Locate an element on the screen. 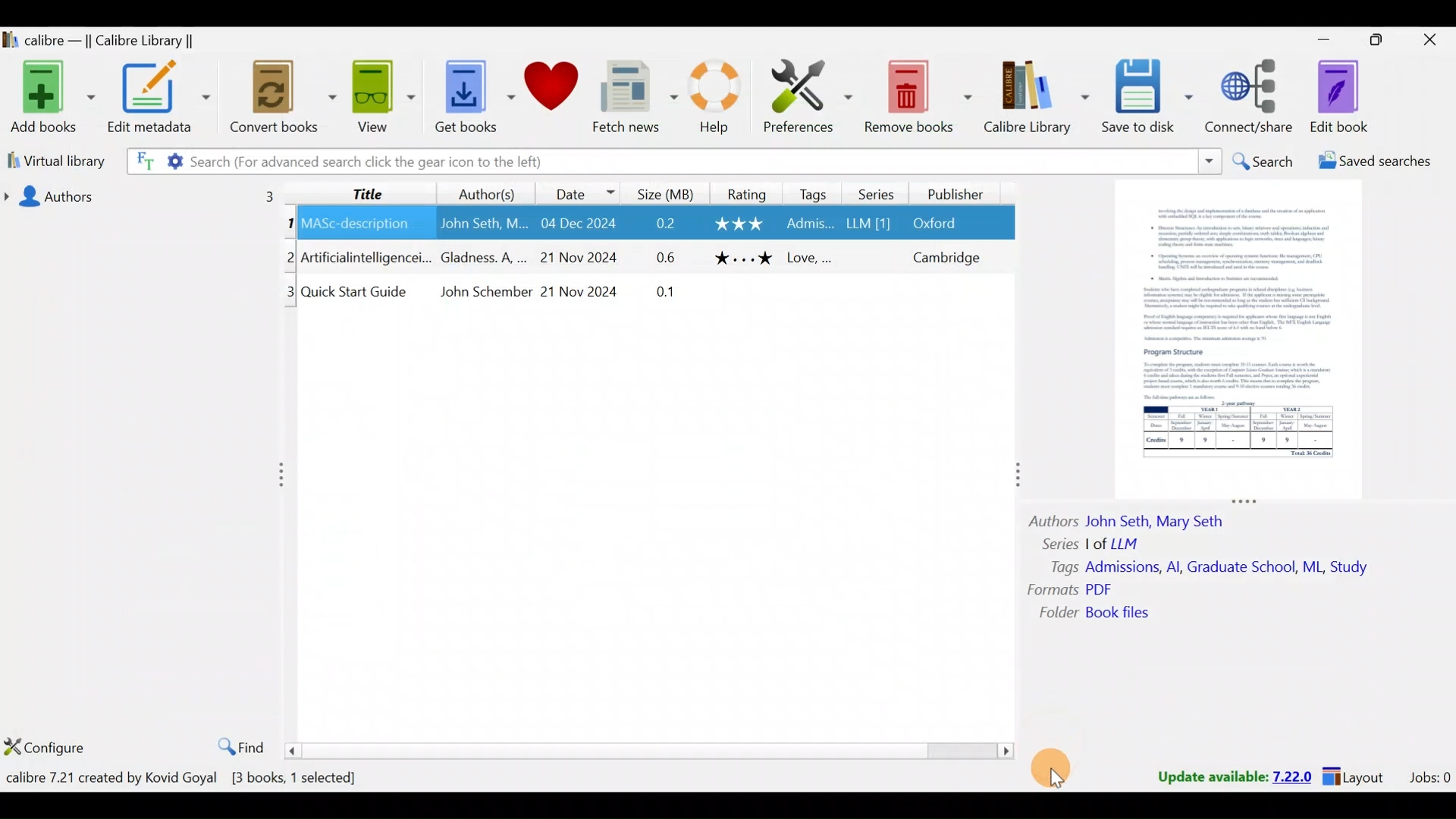   is located at coordinates (1115, 545).